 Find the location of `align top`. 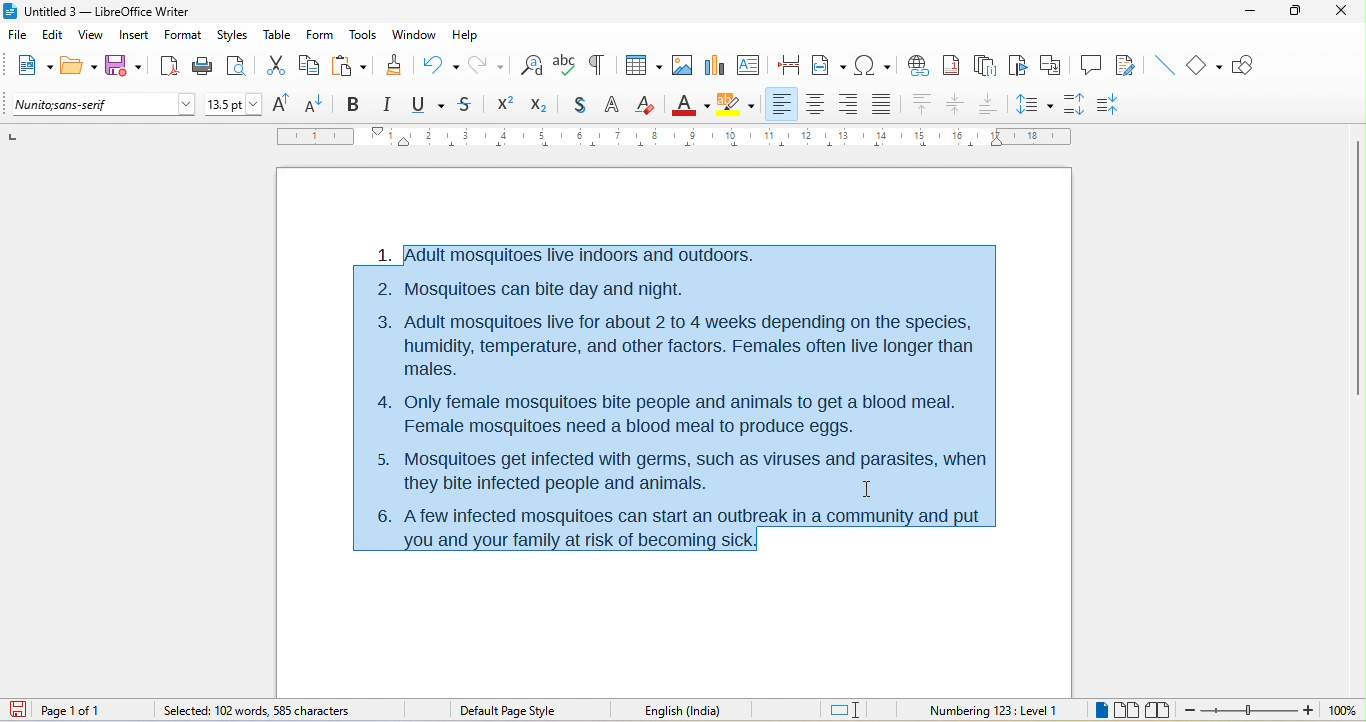

align top is located at coordinates (921, 105).